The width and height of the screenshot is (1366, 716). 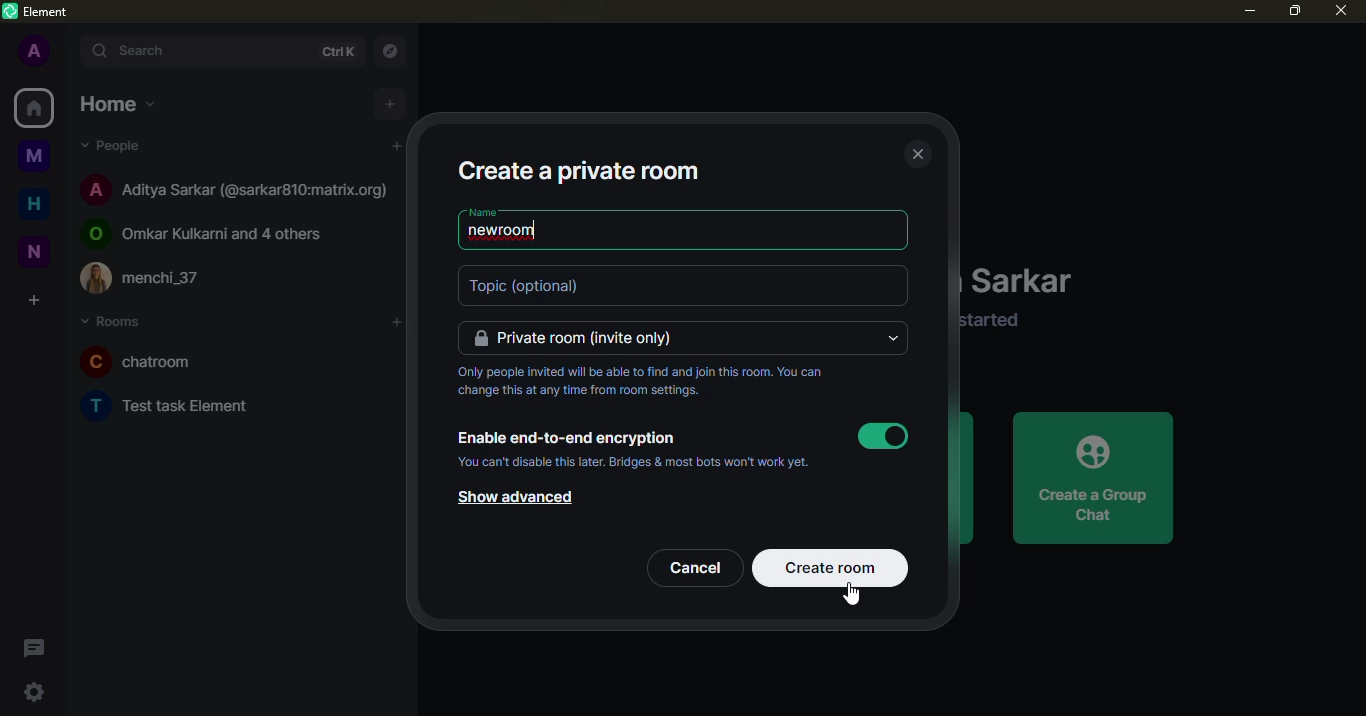 I want to click on add, so click(x=398, y=147).